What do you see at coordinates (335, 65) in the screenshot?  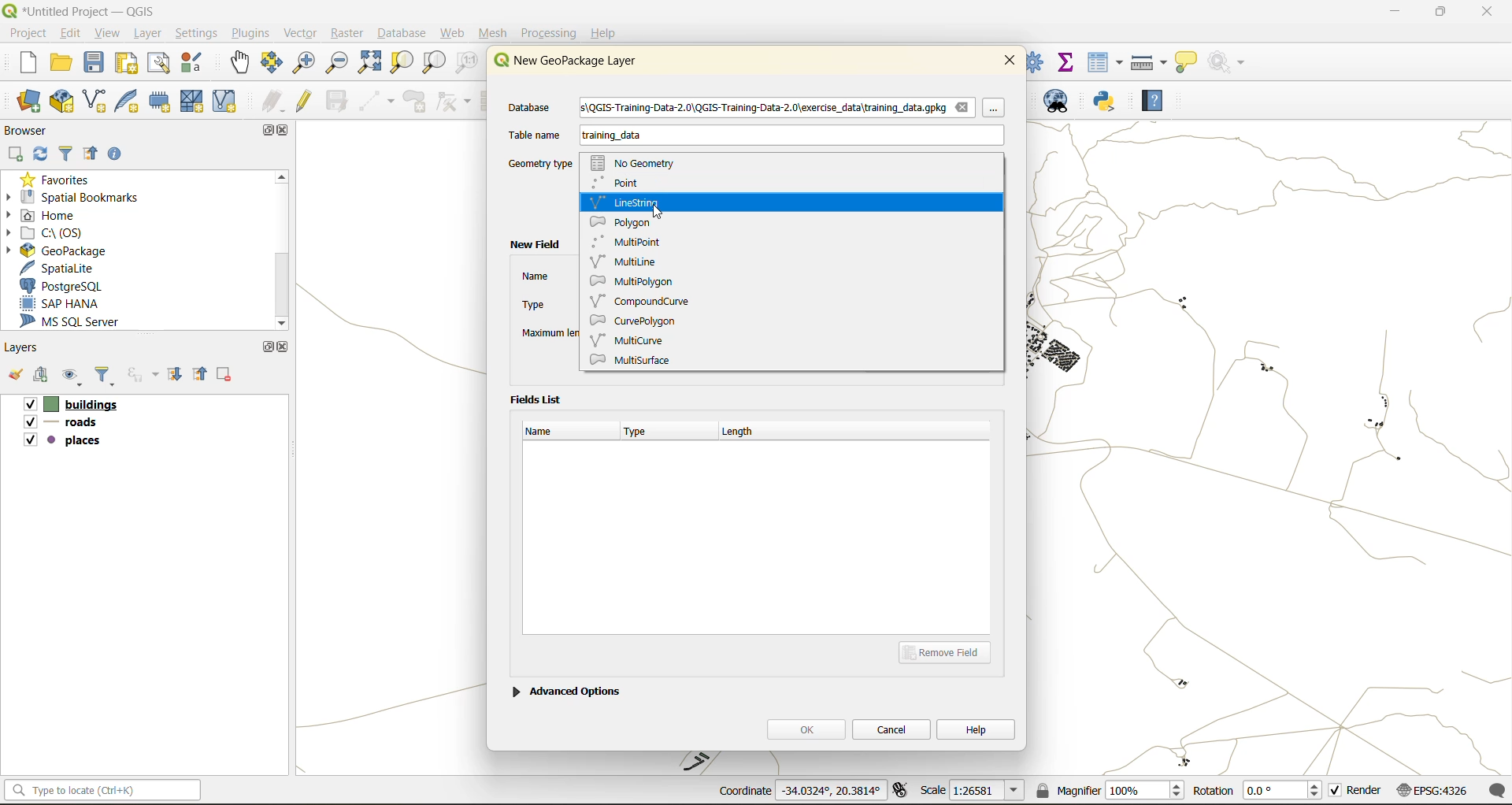 I see `zoom out` at bounding box center [335, 65].